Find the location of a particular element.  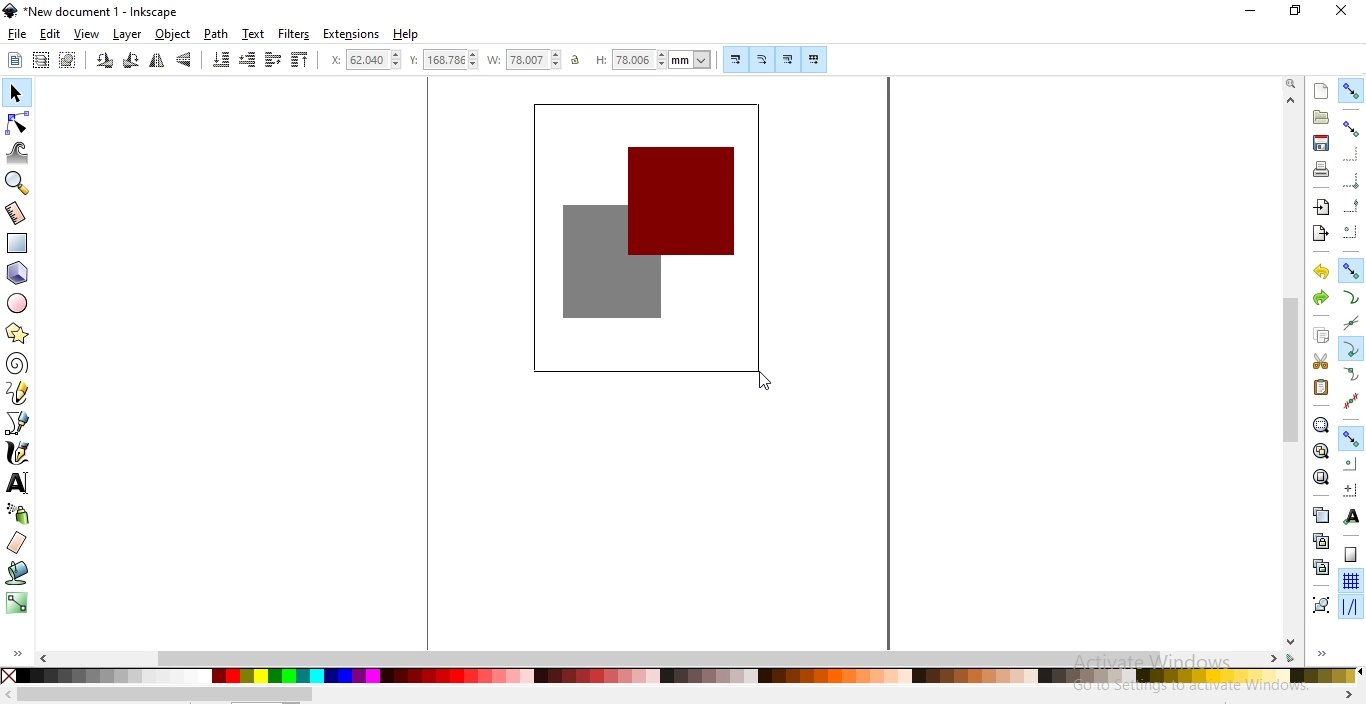

create spiral is located at coordinates (16, 362).